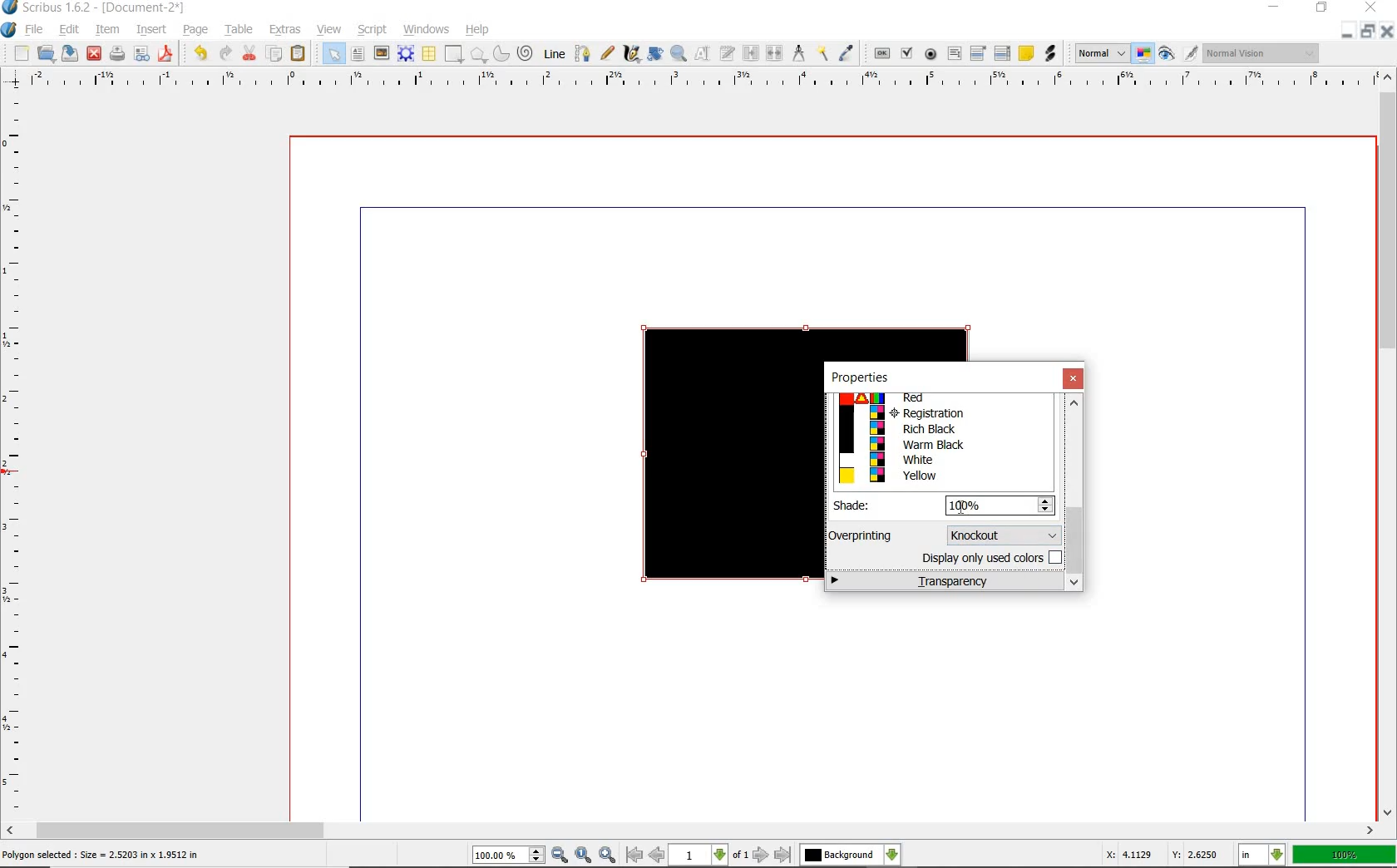  Describe the element at coordinates (17, 455) in the screenshot. I see `ruler` at that location.